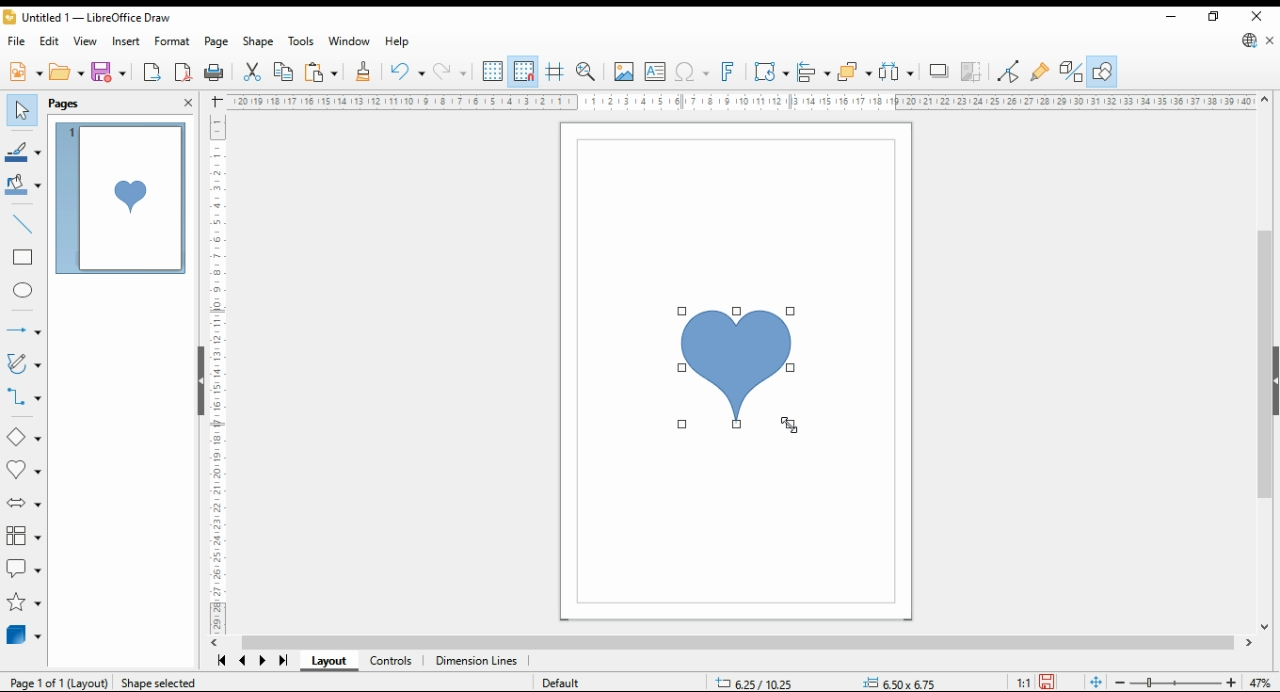 Image resolution: width=1280 pixels, height=692 pixels. Describe the element at coordinates (1032, 677) in the screenshot. I see `save 1"1` at that location.